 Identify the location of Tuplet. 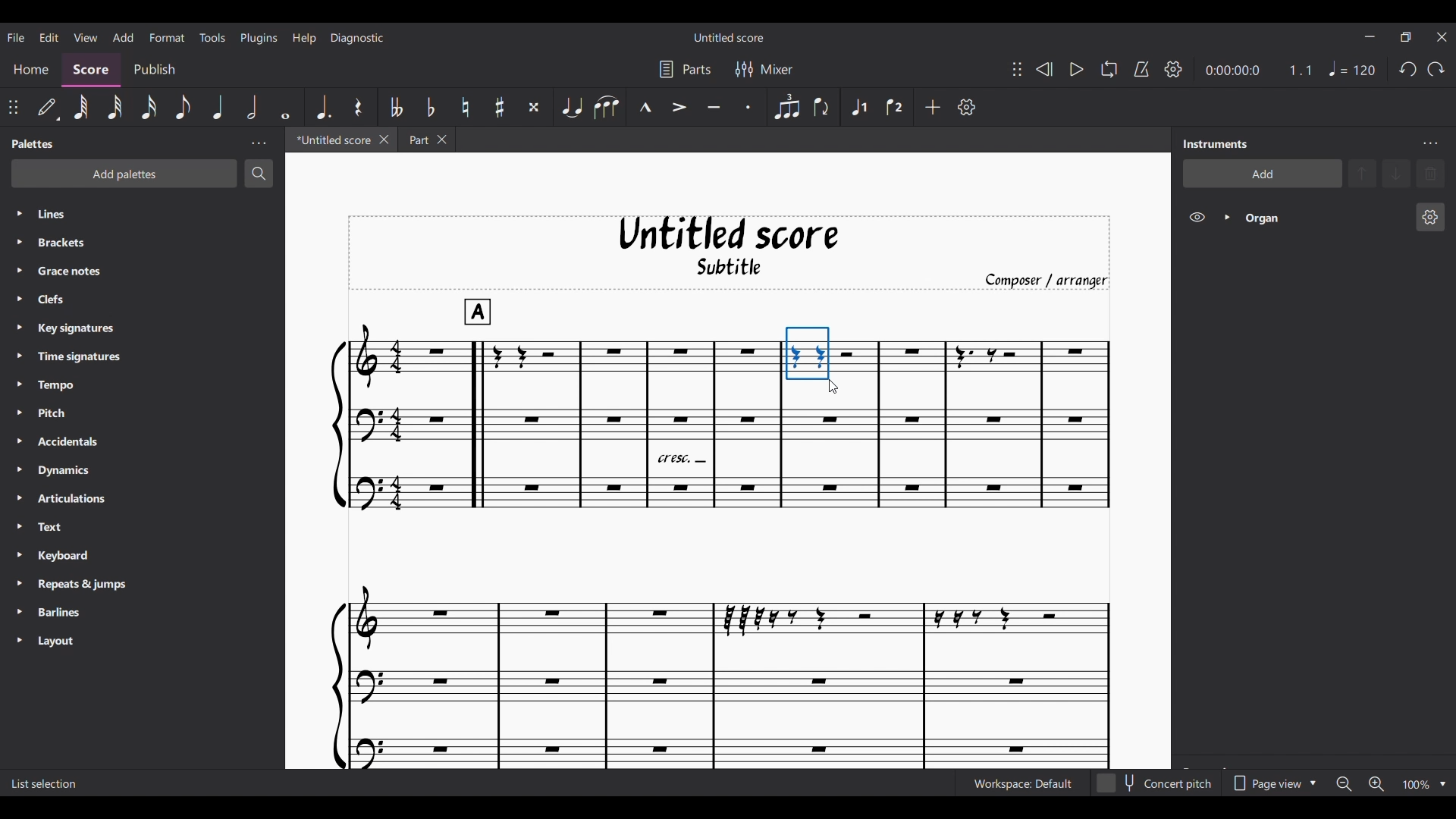
(787, 108).